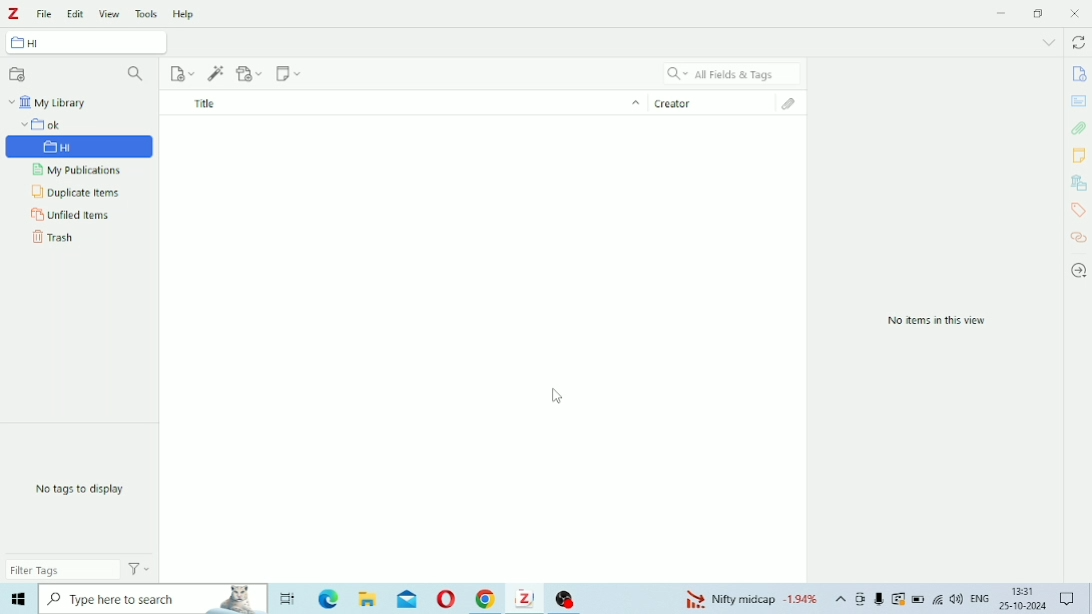 Image resolution: width=1092 pixels, height=614 pixels. What do you see at coordinates (979, 597) in the screenshot?
I see `ENG` at bounding box center [979, 597].